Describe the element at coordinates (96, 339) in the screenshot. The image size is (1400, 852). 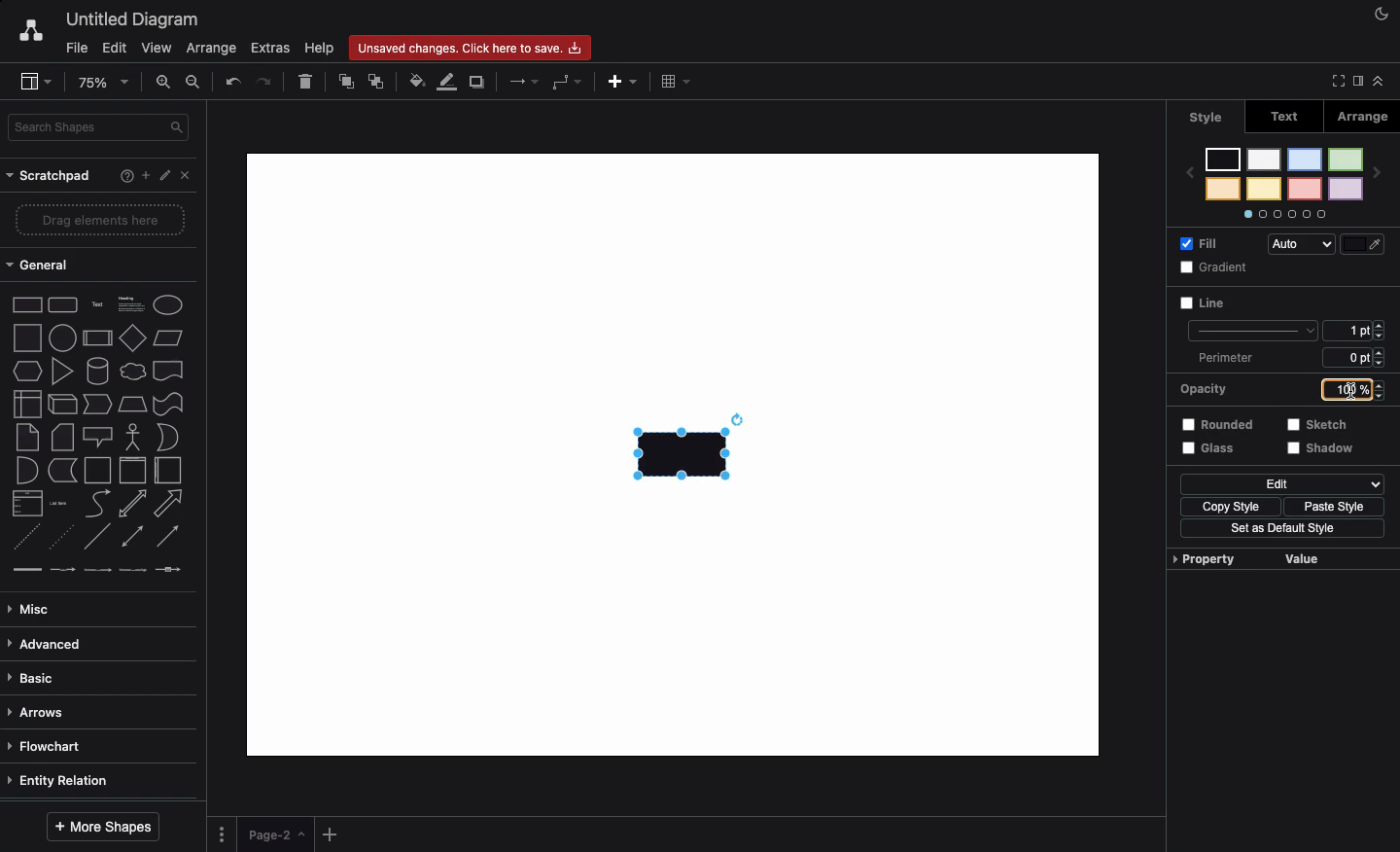
I see `process` at that location.